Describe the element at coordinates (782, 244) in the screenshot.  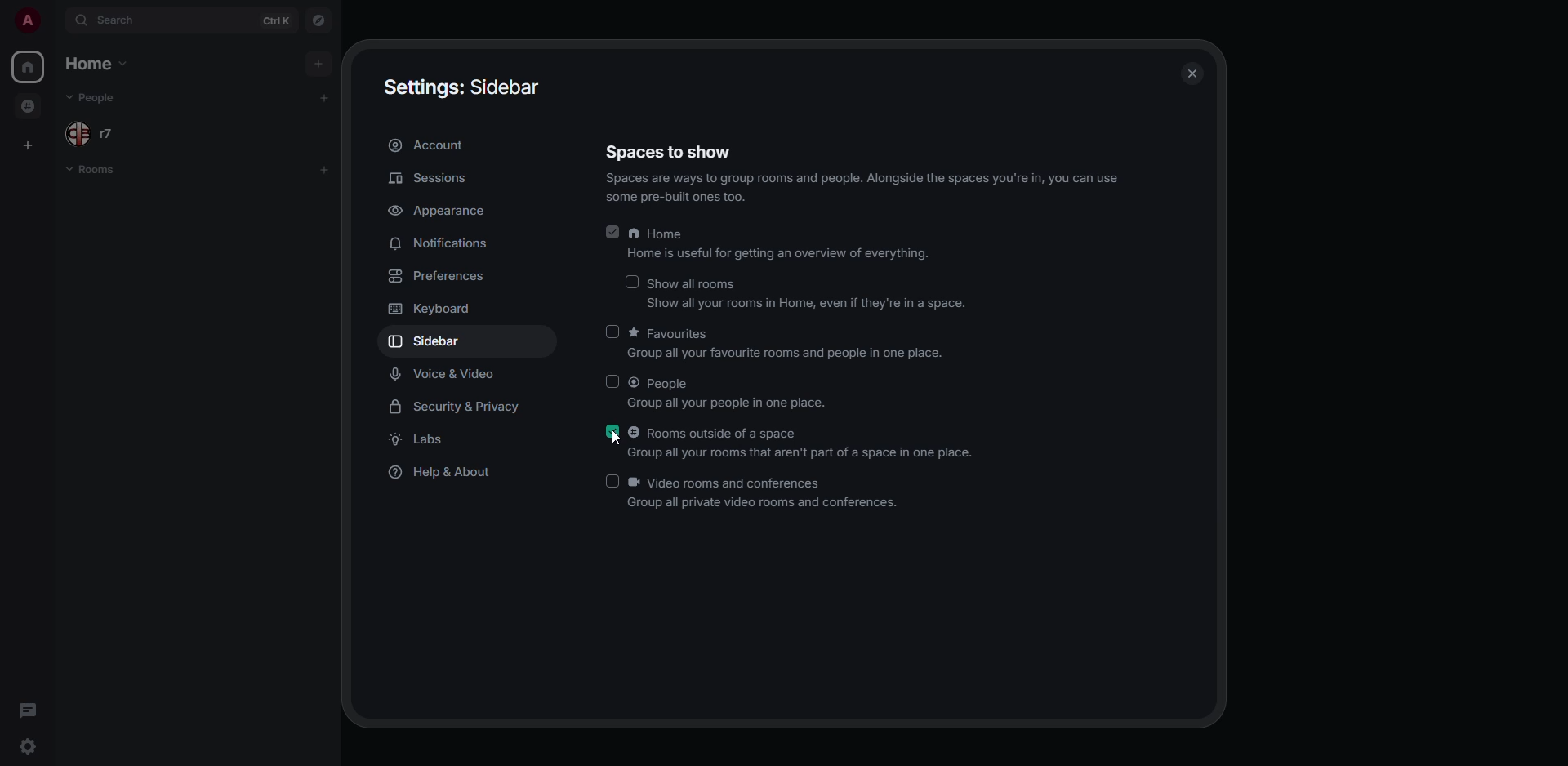
I see `Home Home is useful for getting an overview of everything.` at that location.